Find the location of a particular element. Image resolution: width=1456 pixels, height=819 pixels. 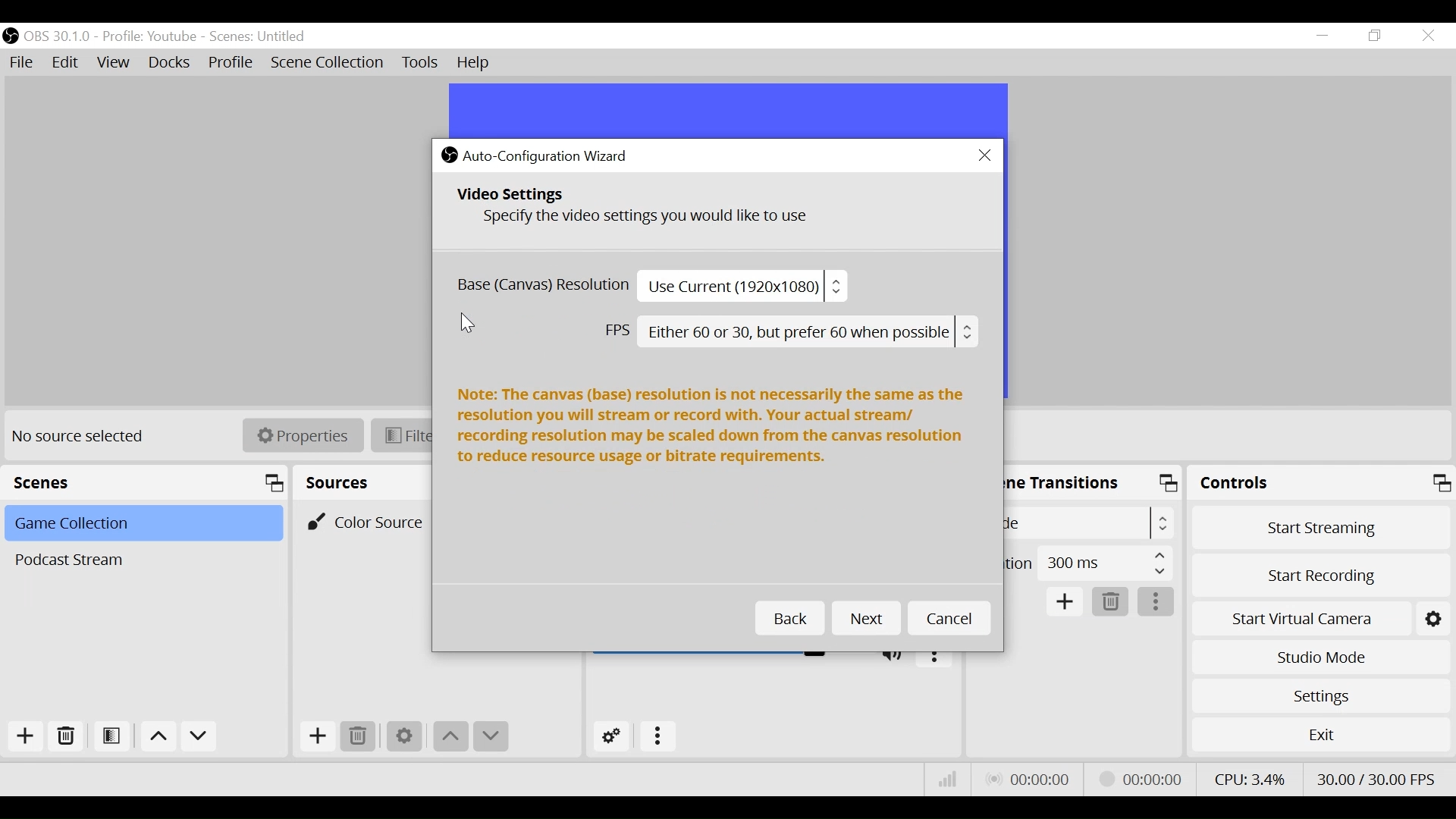

more options is located at coordinates (1156, 602).